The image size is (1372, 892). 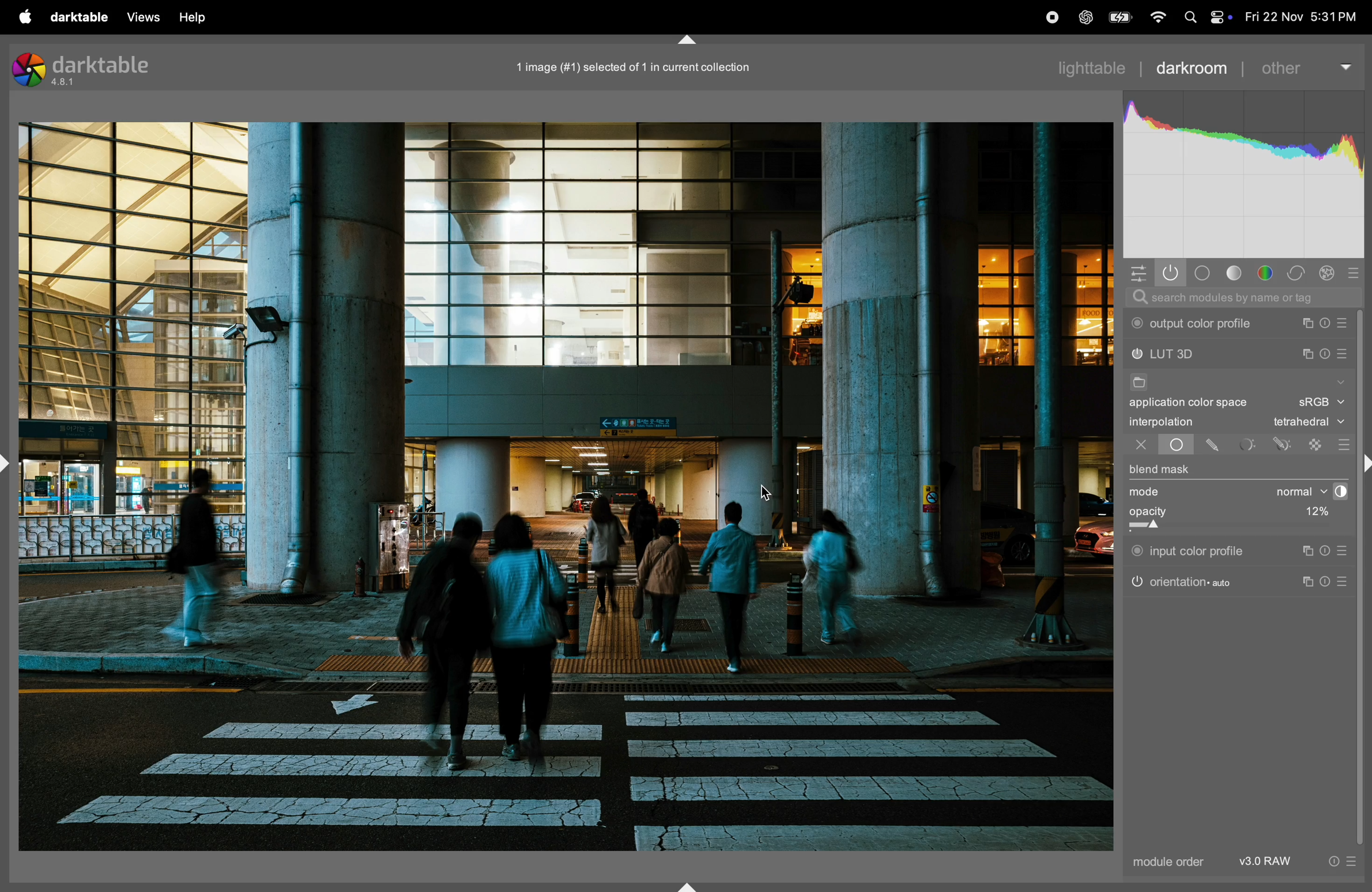 I want to click on Srgb, so click(x=1321, y=403).